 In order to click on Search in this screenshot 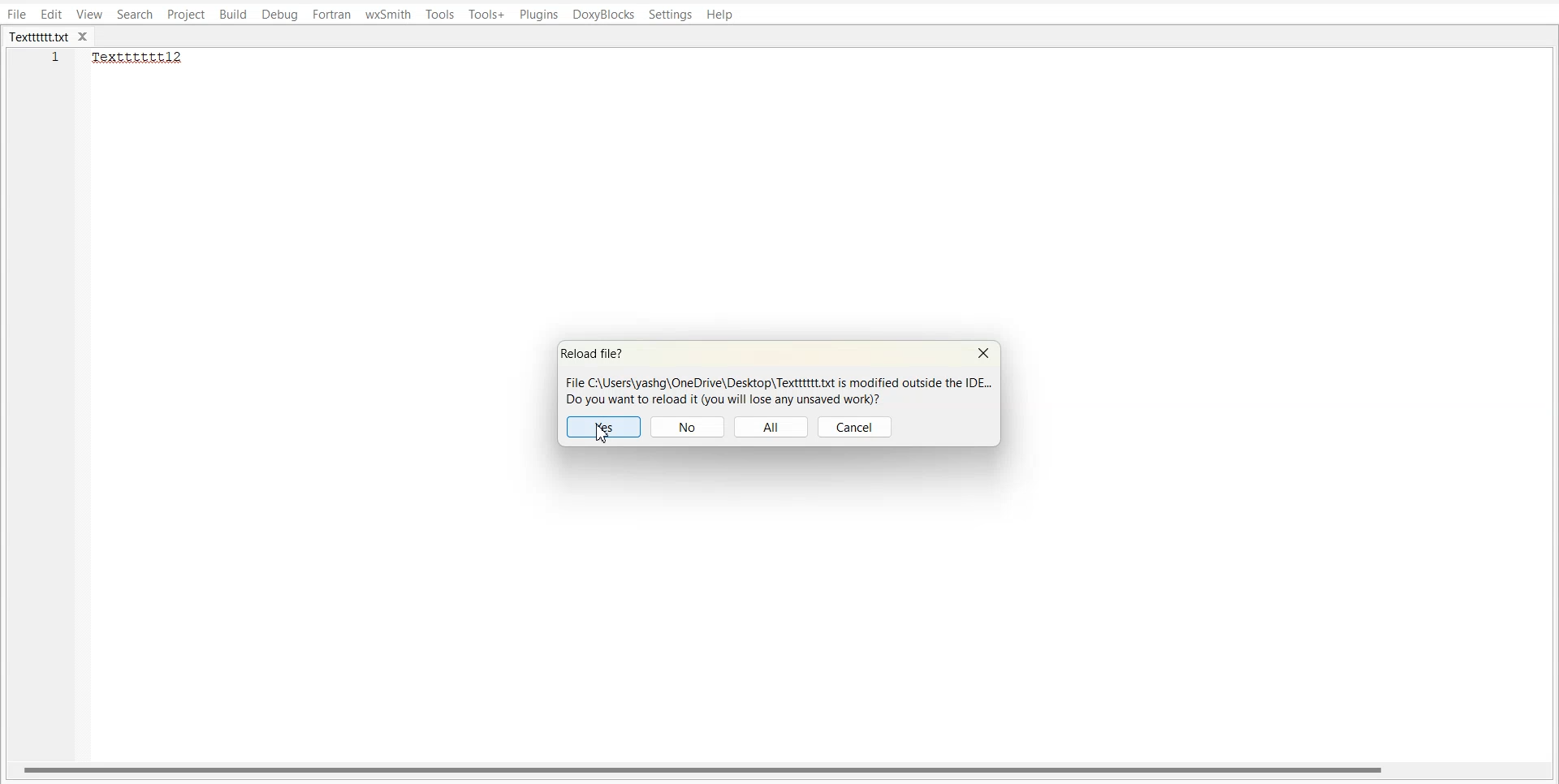, I will do `click(136, 14)`.